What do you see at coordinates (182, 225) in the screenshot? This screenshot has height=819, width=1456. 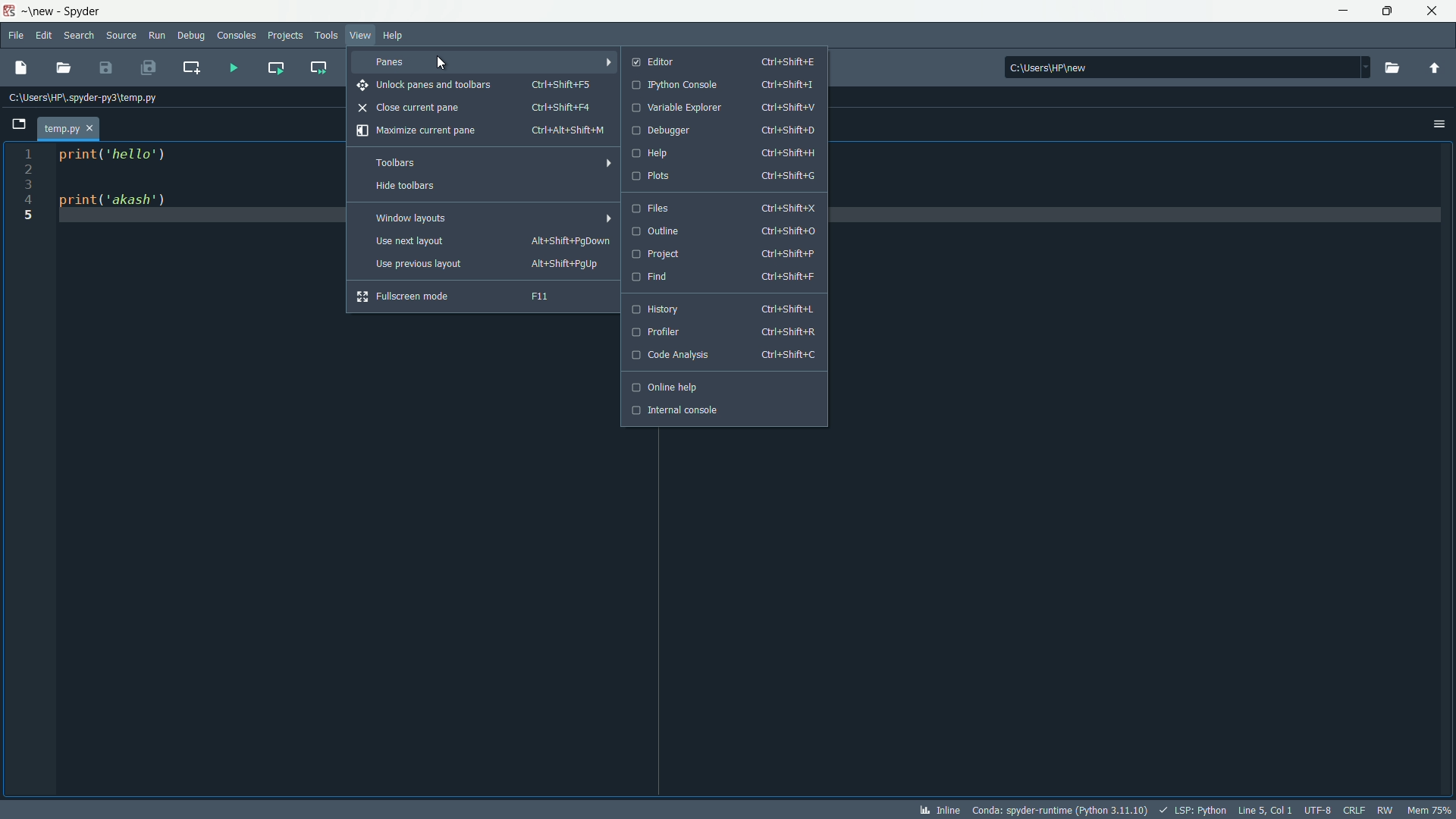 I see `print('hello')  print('akash')` at bounding box center [182, 225].